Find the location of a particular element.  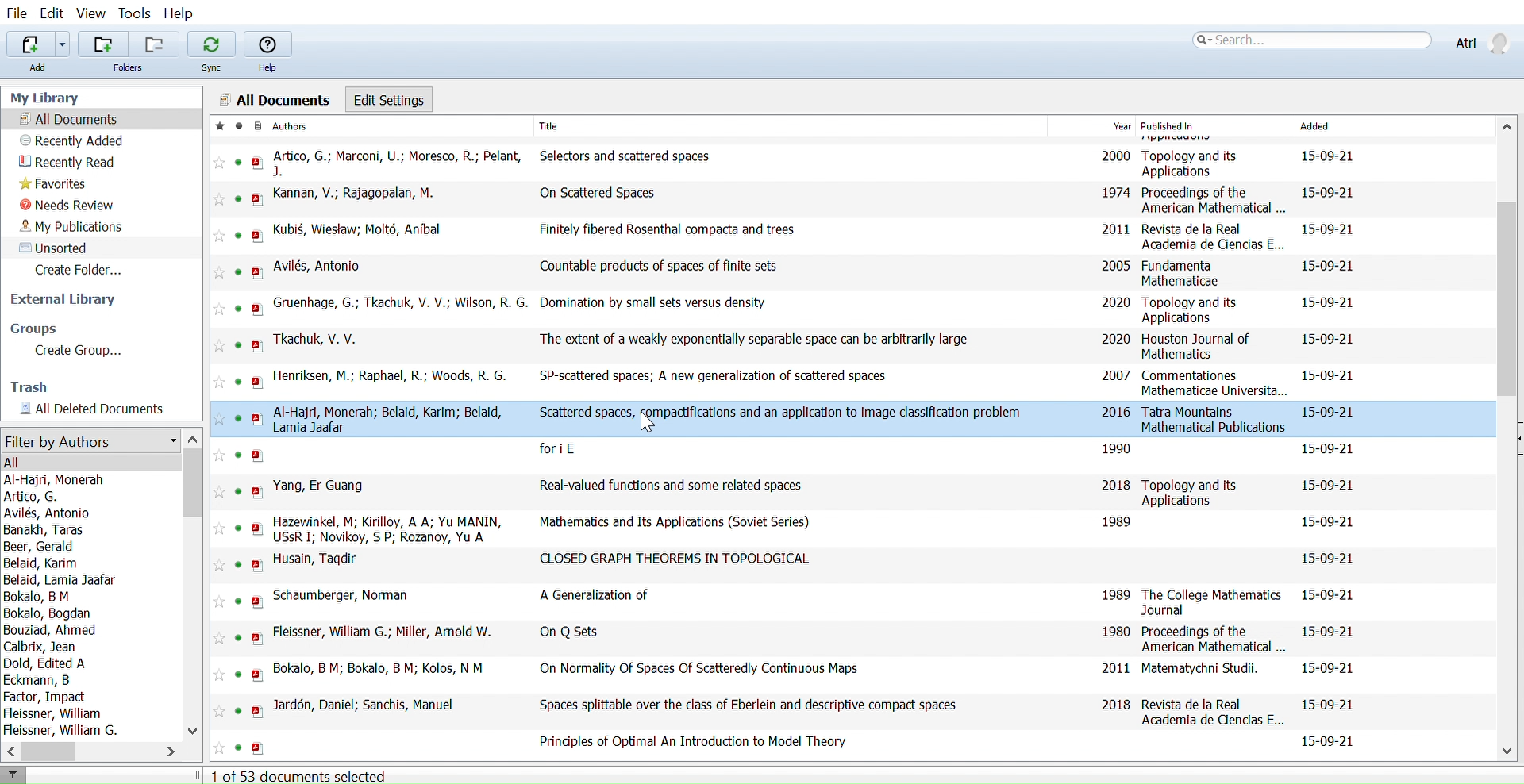

Move up is located at coordinates (193, 439).